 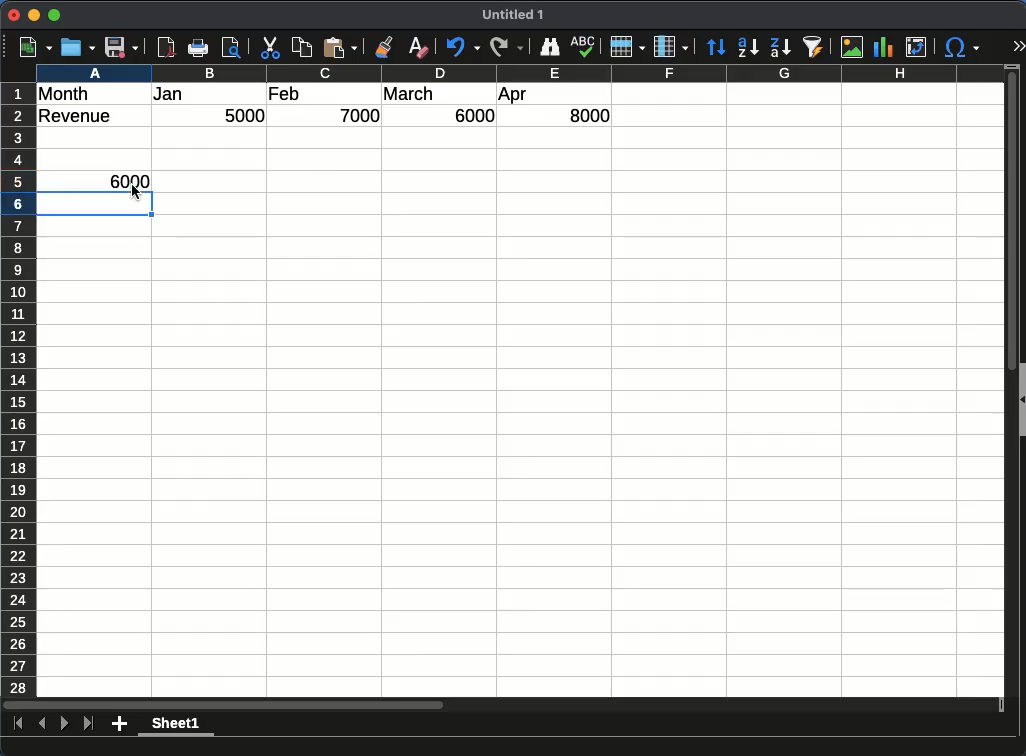 What do you see at coordinates (303, 47) in the screenshot?
I see `copy` at bounding box center [303, 47].